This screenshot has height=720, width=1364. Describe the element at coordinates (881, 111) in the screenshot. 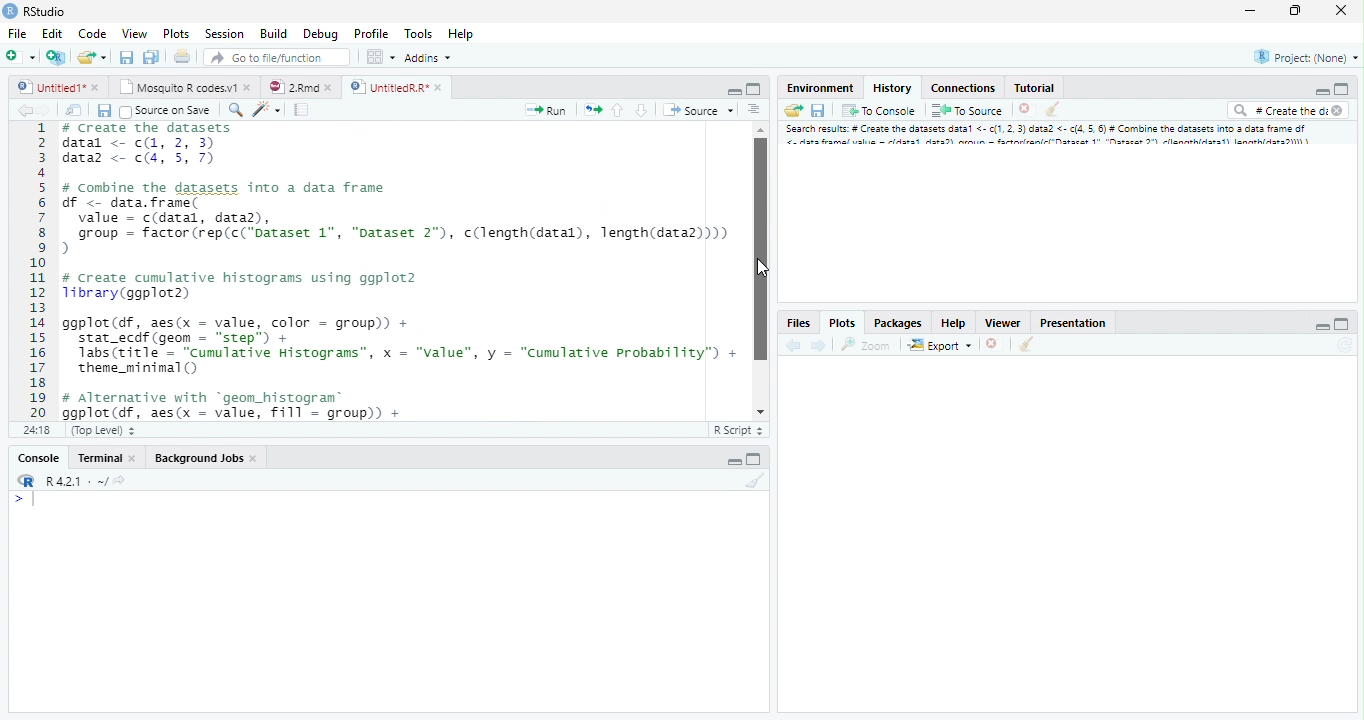

I see `To console` at that location.